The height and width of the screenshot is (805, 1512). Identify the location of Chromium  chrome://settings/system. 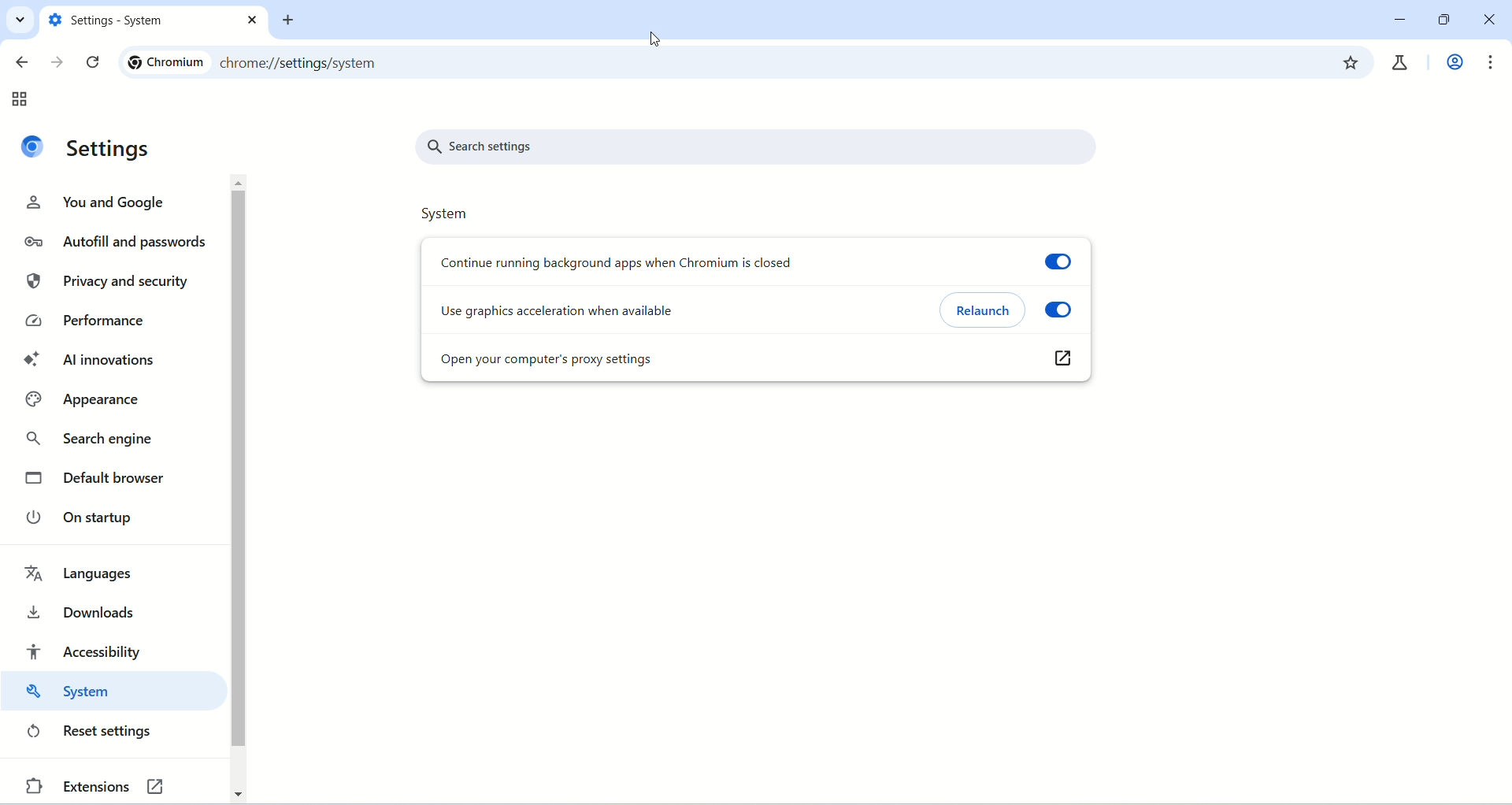
(278, 61).